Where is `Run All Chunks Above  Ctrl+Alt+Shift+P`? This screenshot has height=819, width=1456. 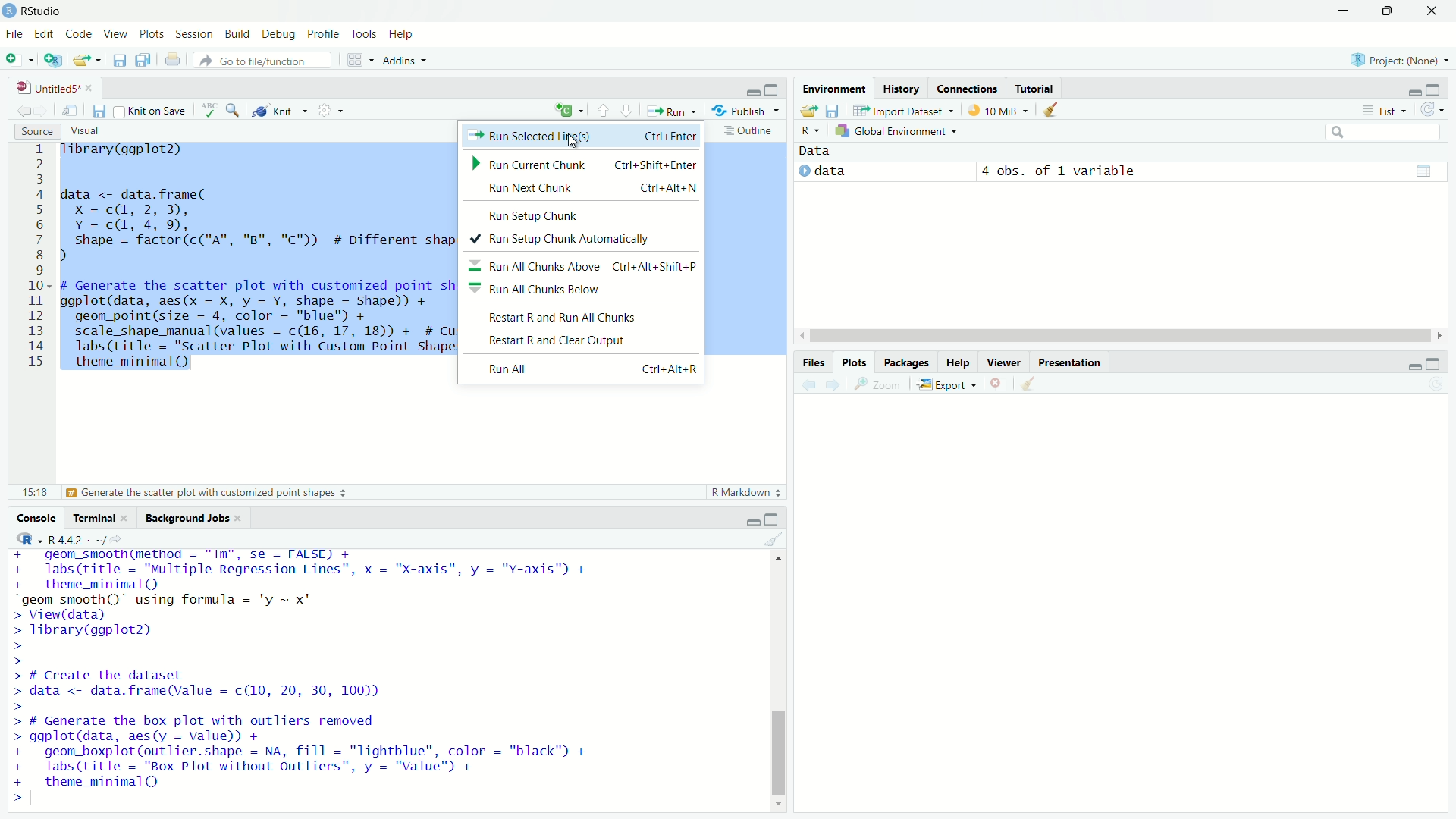 Run All Chunks Above  Ctrl+Alt+Shift+P is located at coordinates (582, 264).